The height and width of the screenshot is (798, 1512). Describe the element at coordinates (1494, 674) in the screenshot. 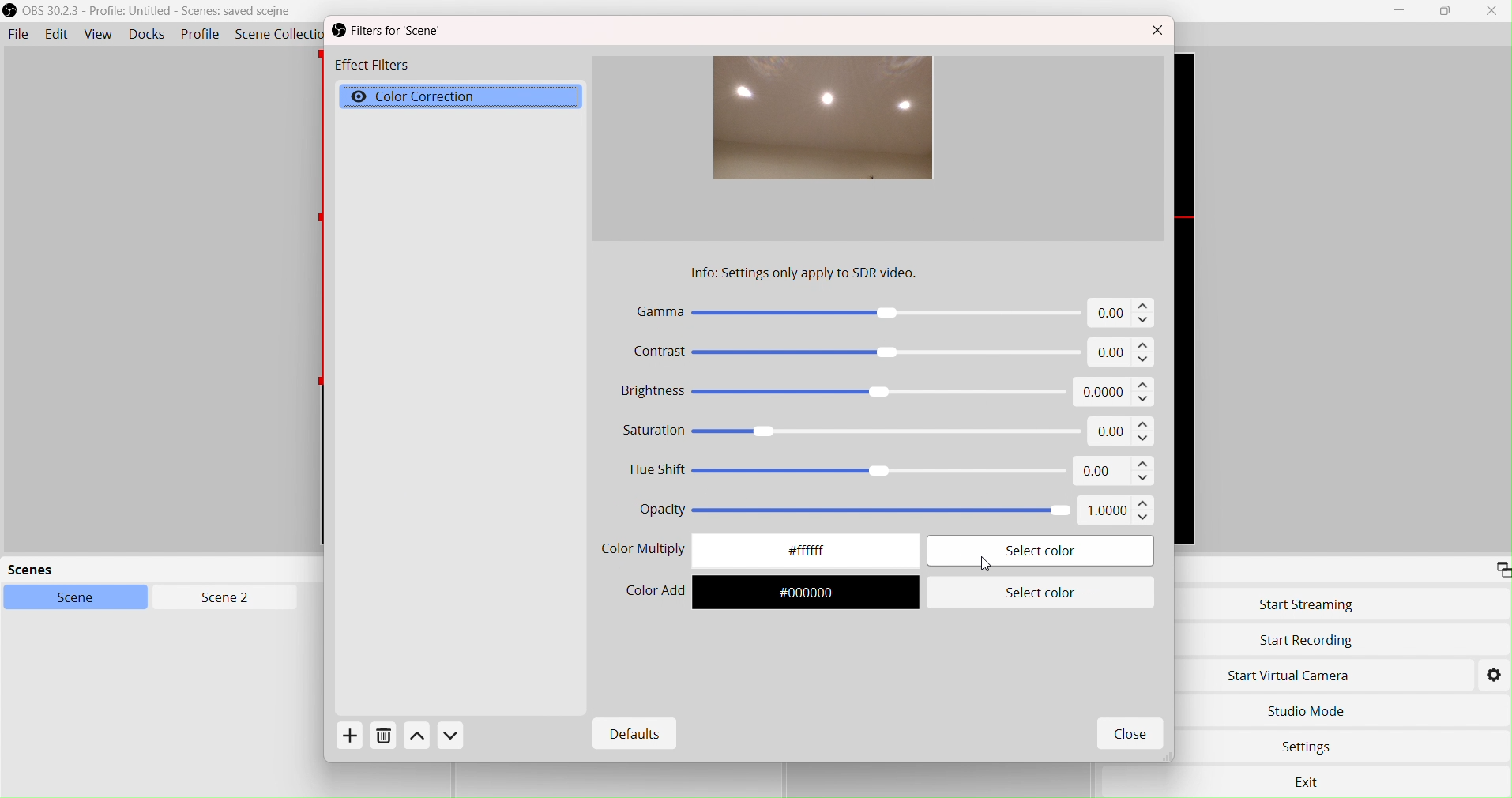

I see `Settings` at that location.